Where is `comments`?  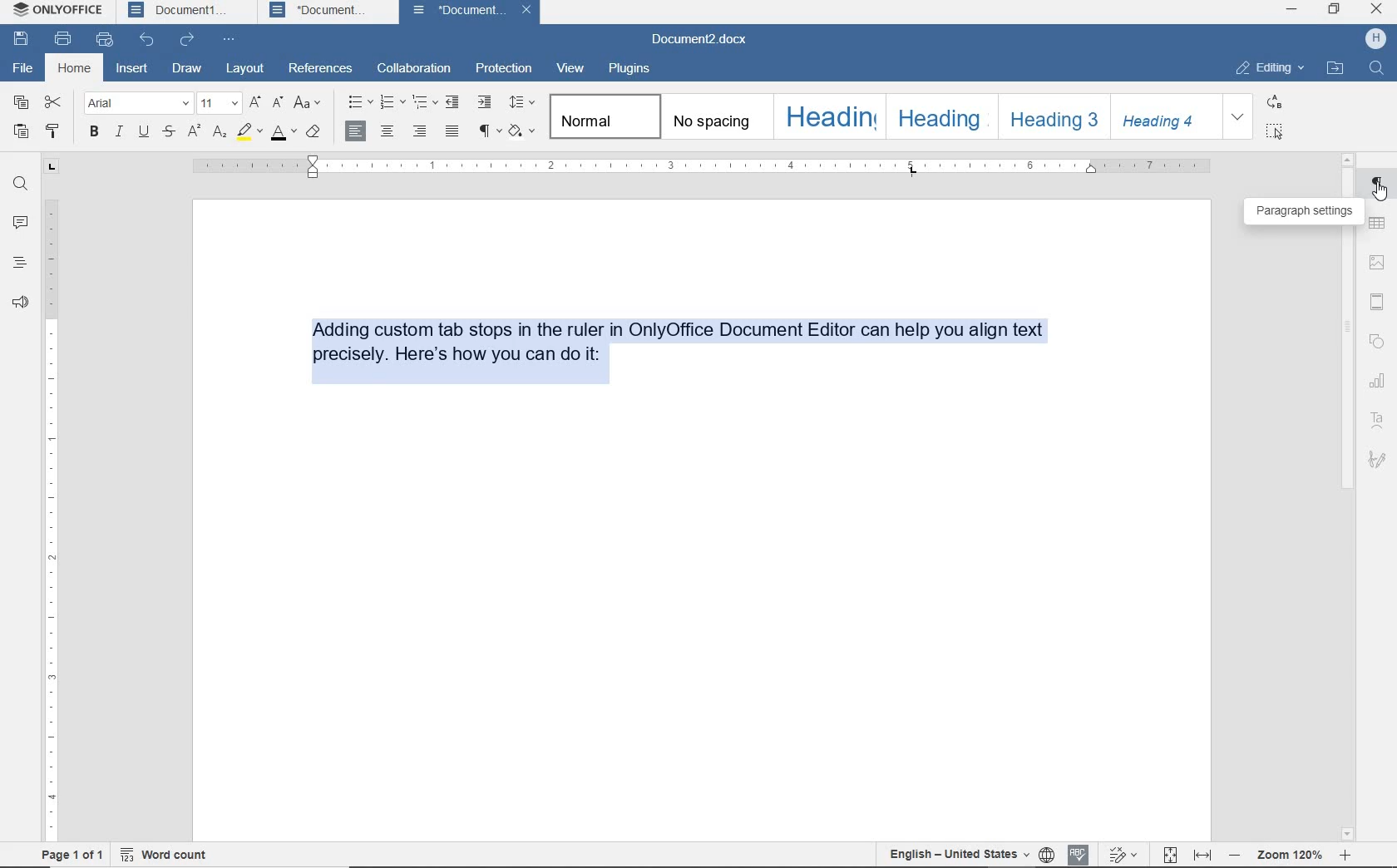
comments is located at coordinates (18, 223).